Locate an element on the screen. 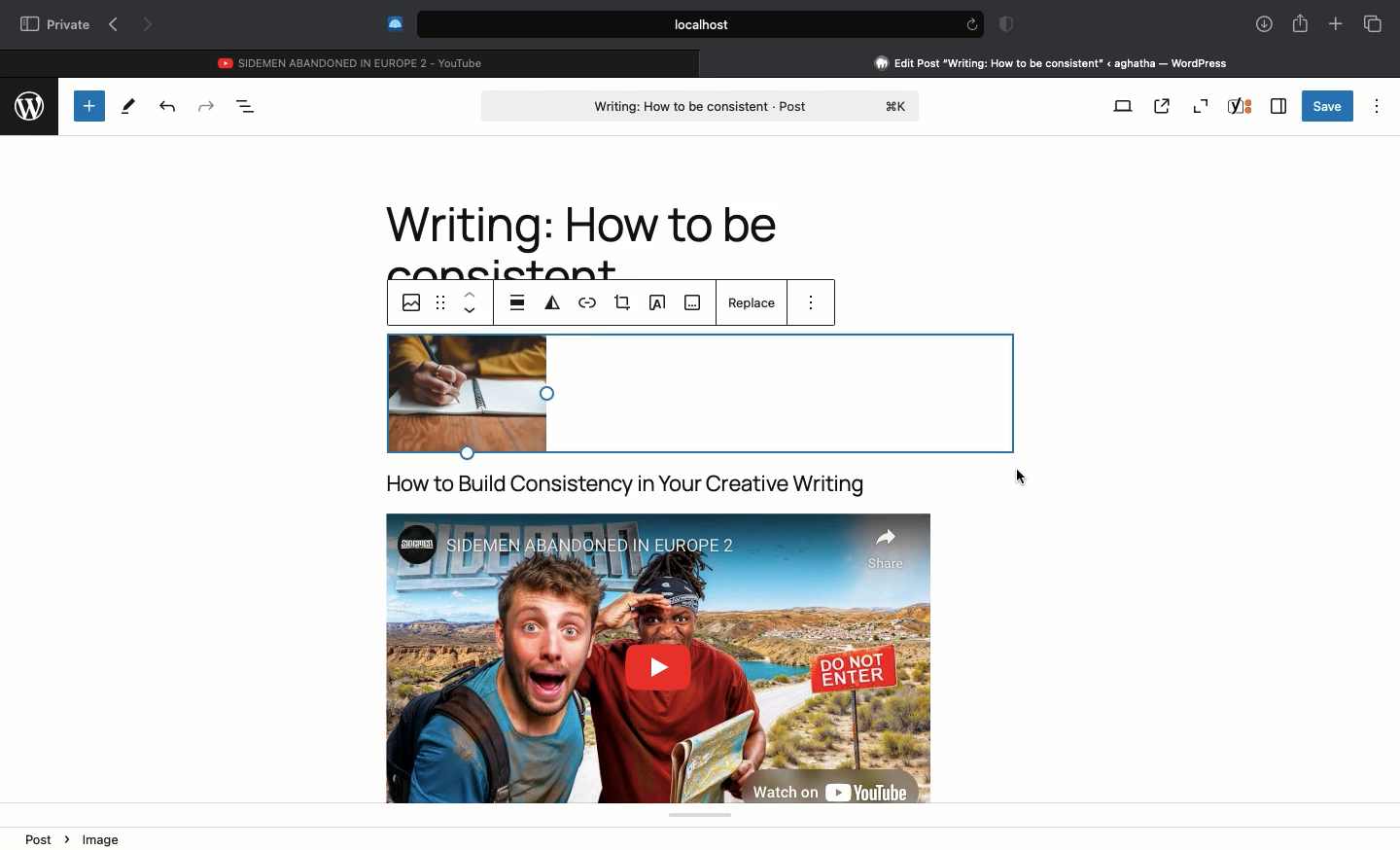 The height and width of the screenshot is (850, 1400). refresh is located at coordinates (970, 24).